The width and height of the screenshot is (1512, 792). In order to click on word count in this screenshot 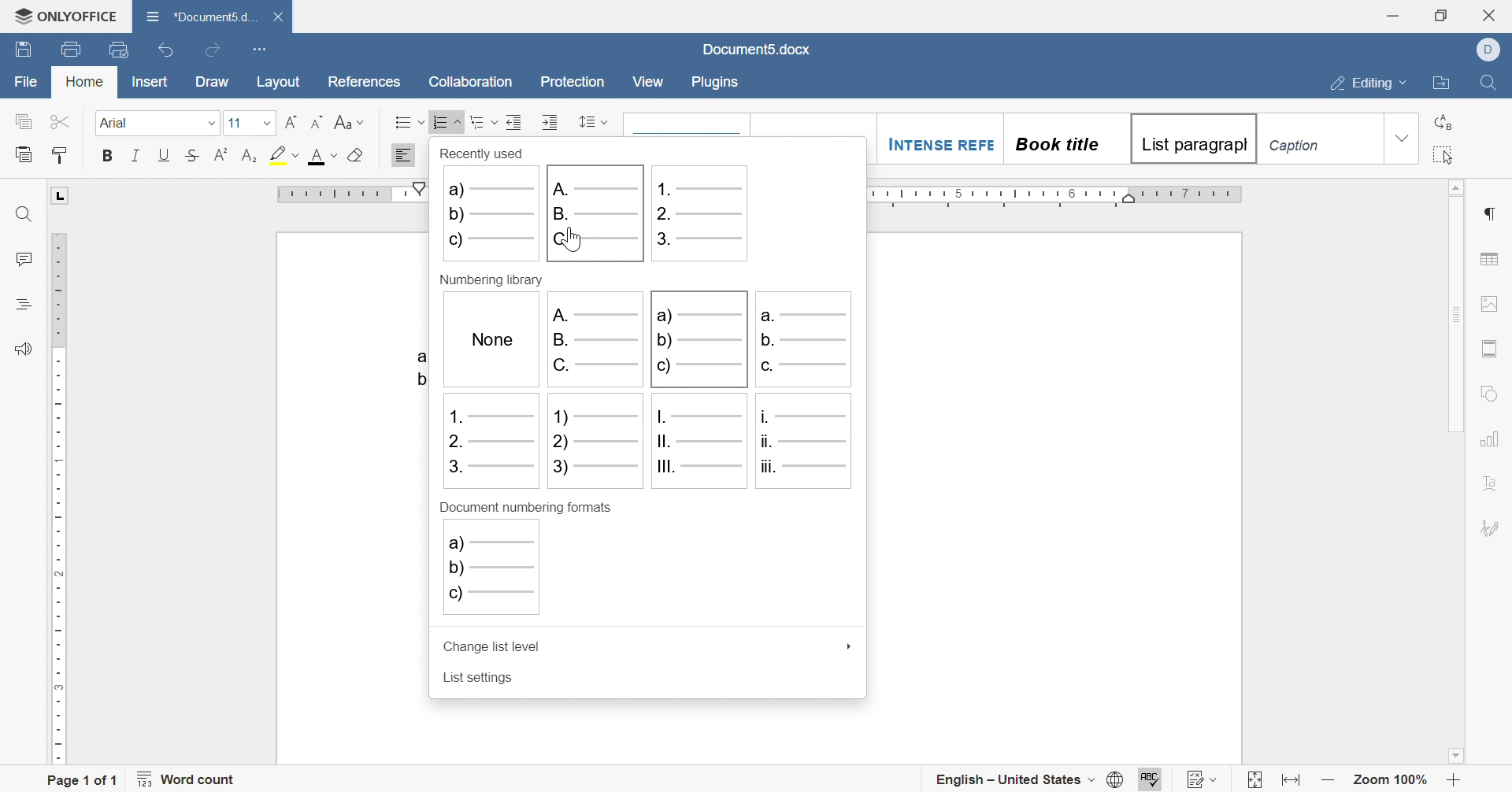, I will do `click(187, 778)`.